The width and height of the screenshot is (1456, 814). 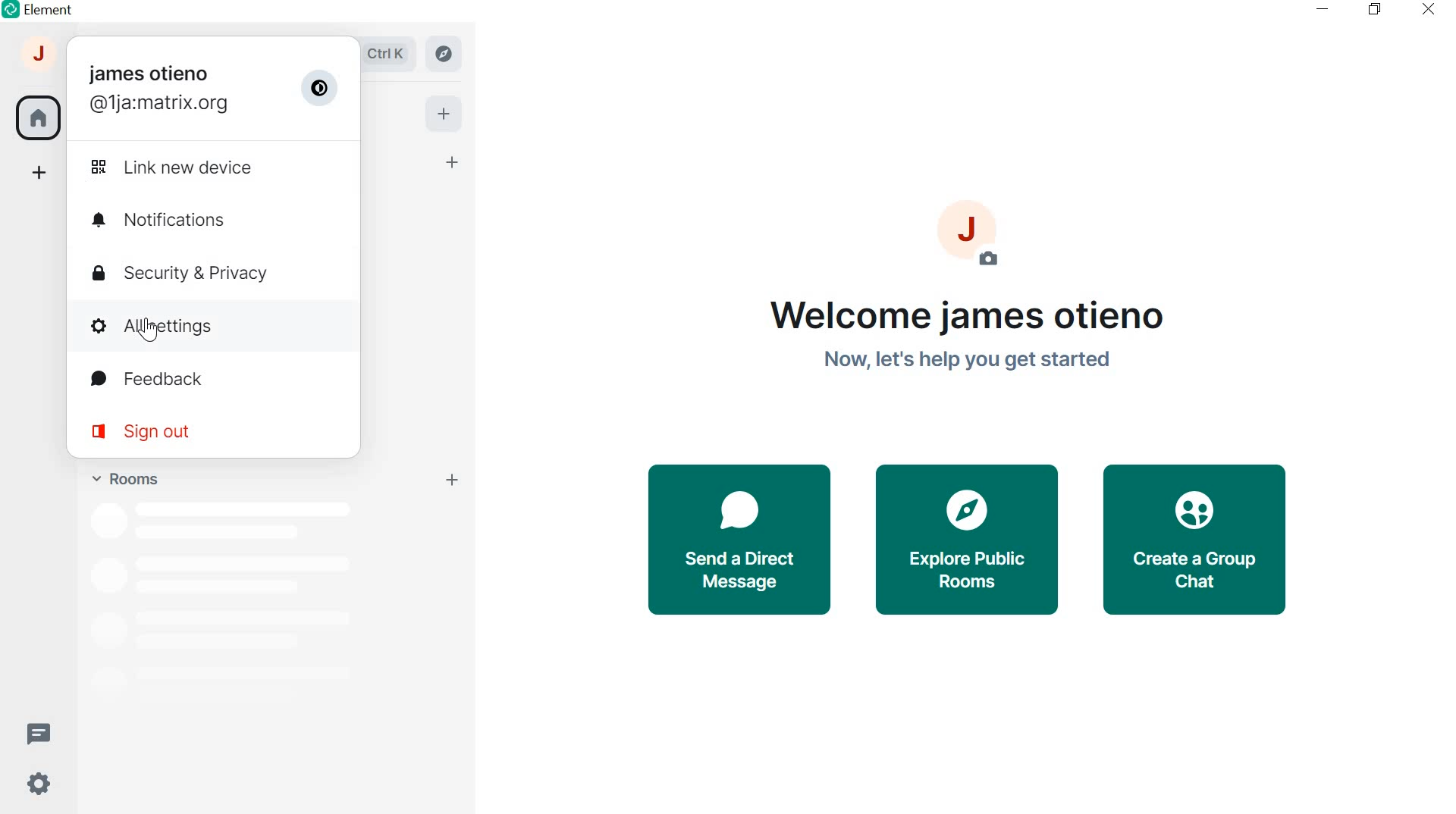 What do you see at coordinates (205, 167) in the screenshot?
I see `LINK NEW DEVICE` at bounding box center [205, 167].